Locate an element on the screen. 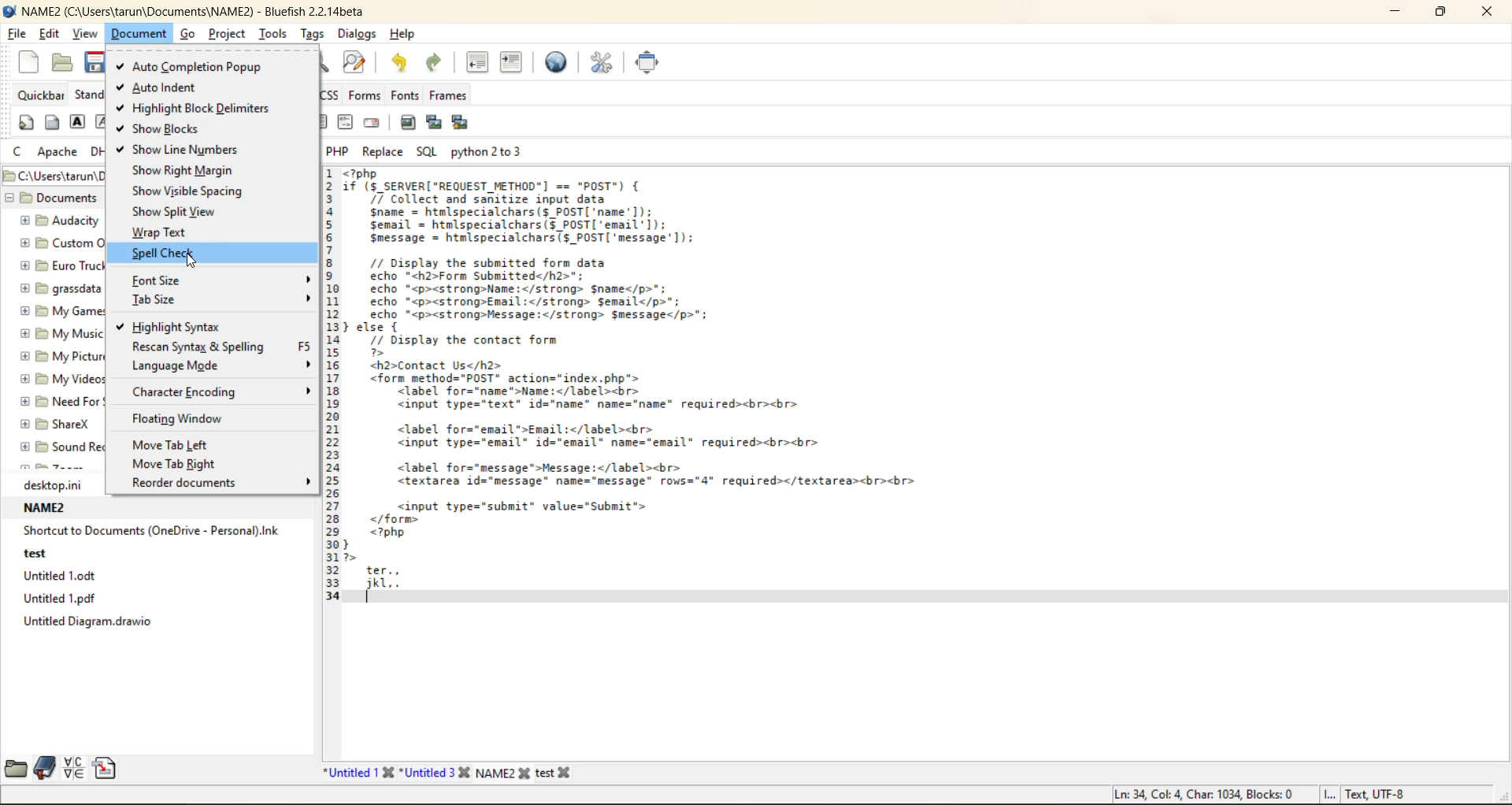 Image resolution: width=1512 pixels, height=805 pixels. new is located at coordinates (31, 60).